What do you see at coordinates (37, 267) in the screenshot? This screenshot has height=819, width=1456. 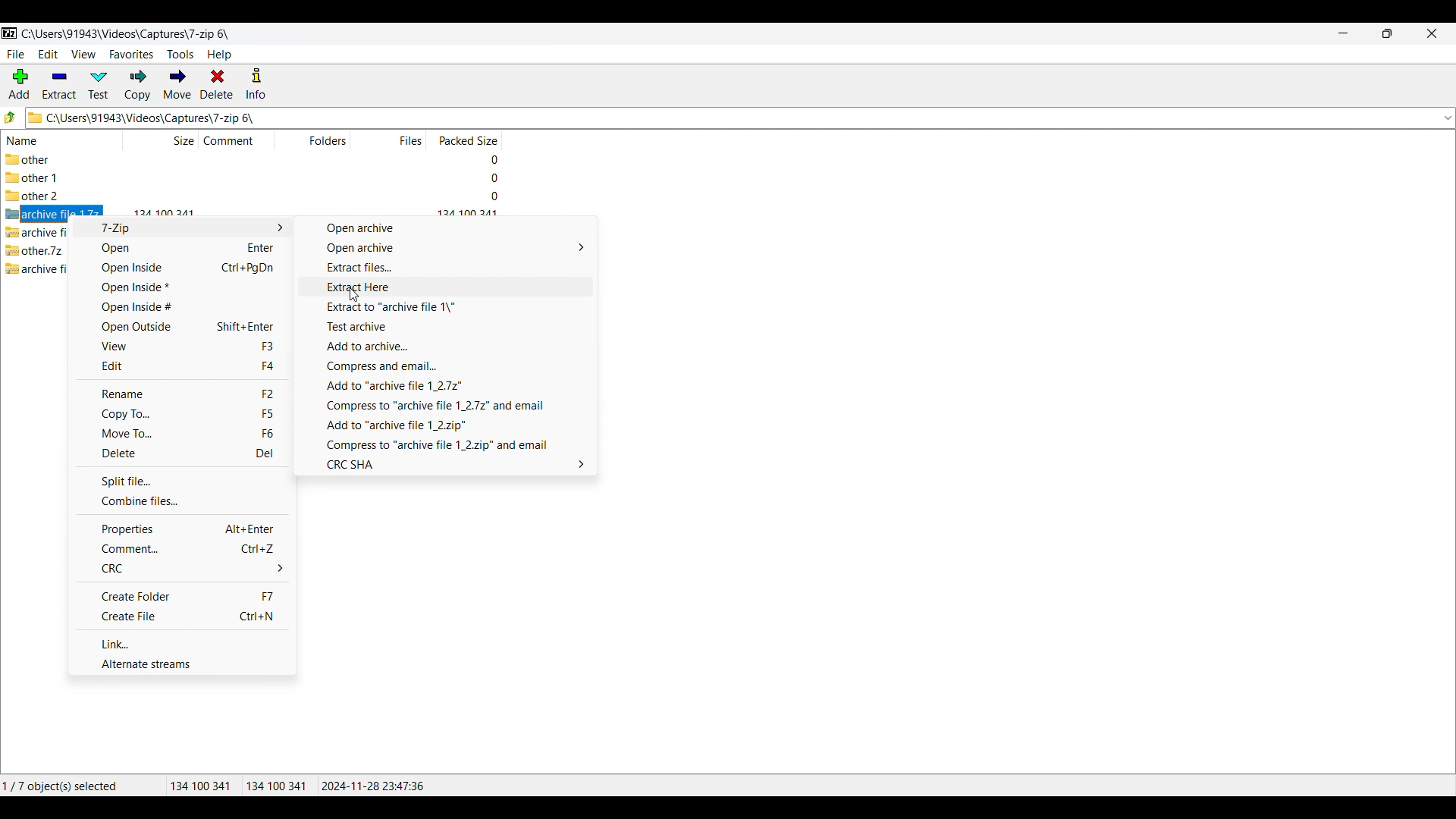 I see `archive file 2.7z ` at bounding box center [37, 267].